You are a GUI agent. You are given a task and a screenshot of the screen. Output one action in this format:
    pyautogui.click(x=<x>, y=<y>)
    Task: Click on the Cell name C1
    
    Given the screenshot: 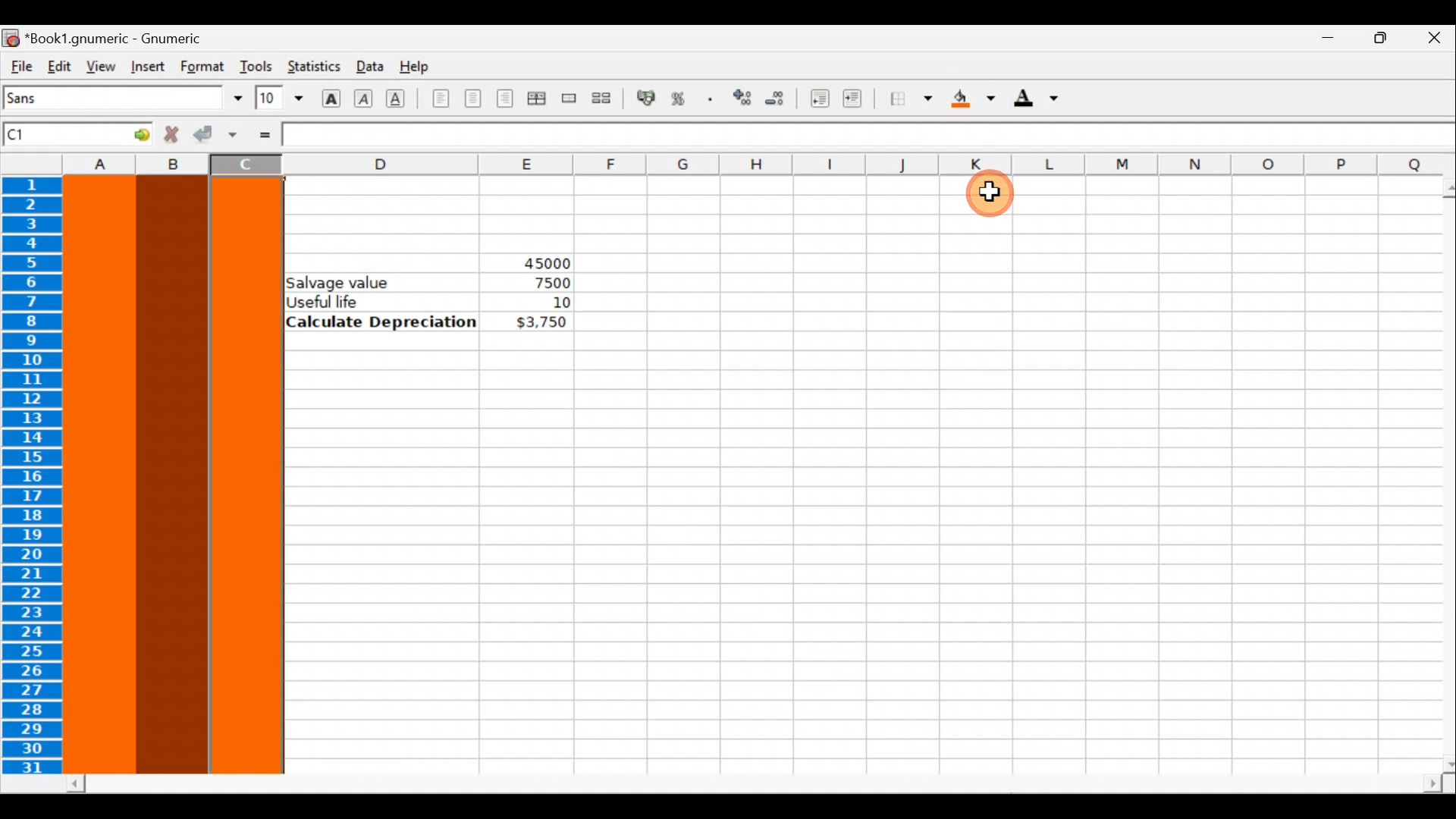 What is the action you would take?
    pyautogui.click(x=54, y=136)
    